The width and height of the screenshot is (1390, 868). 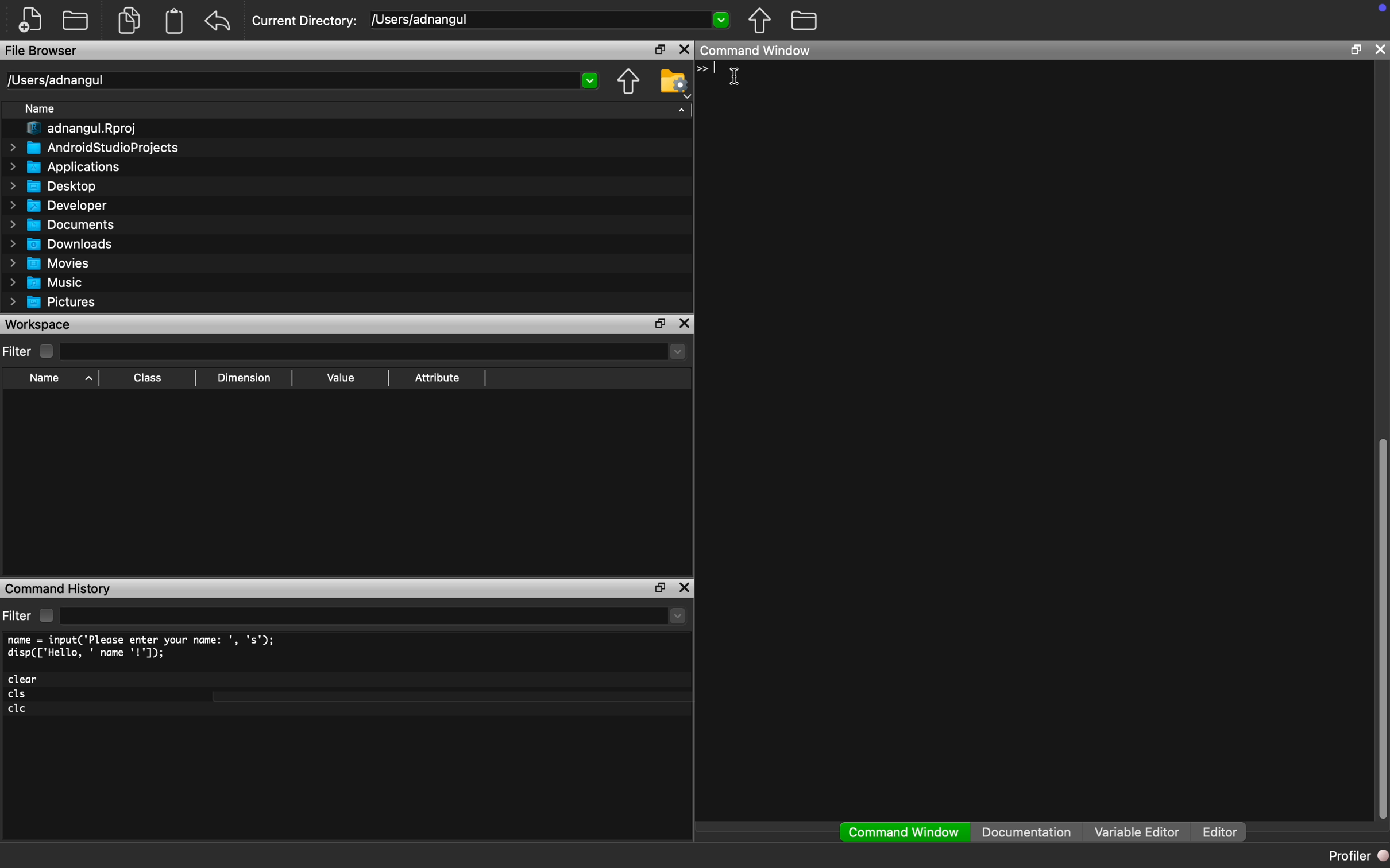 I want to click on Current Directory: , so click(x=305, y=21).